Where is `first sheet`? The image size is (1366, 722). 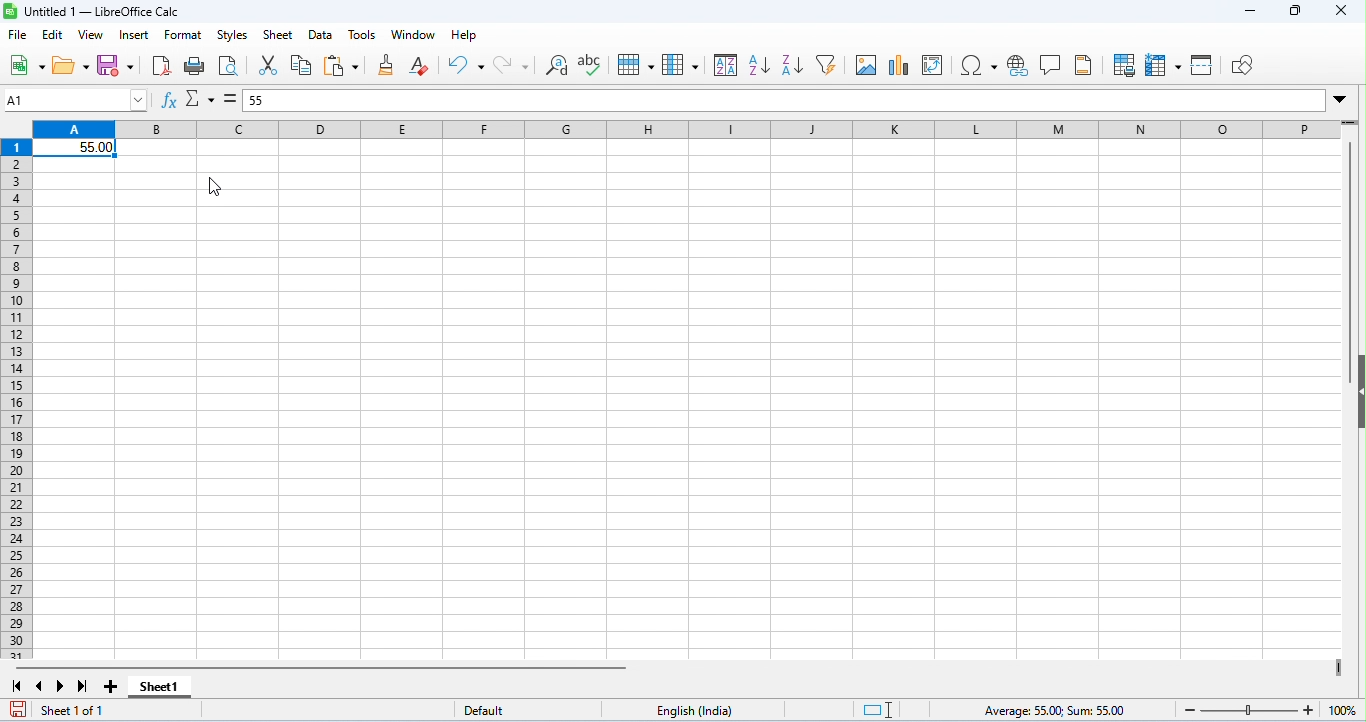 first sheet is located at coordinates (18, 686).